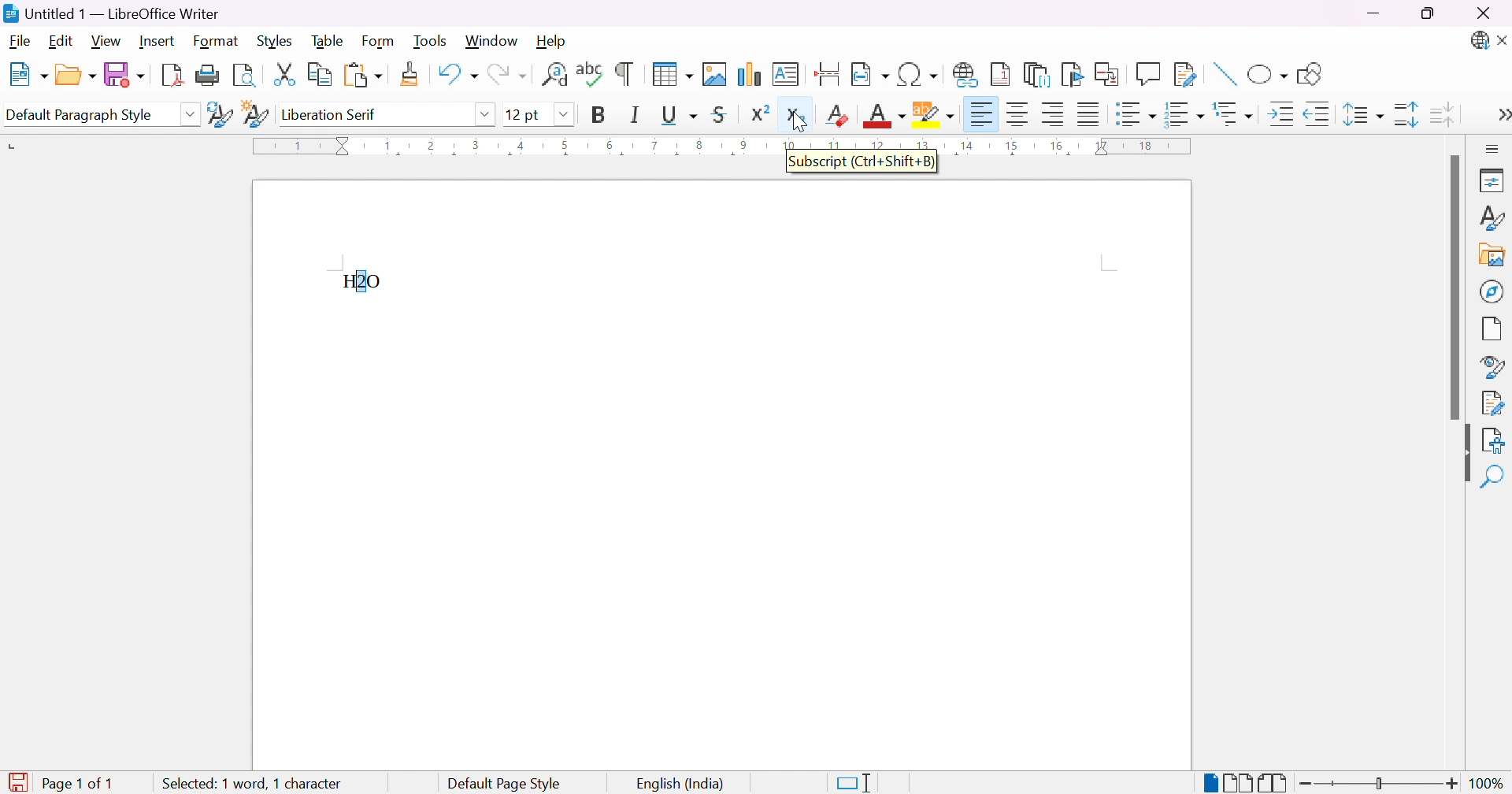 The height and width of the screenshot is (794, 1512). Describe the element at coordinates (1267, 77) in the screenshot. I see `Basic shapes` at that location.